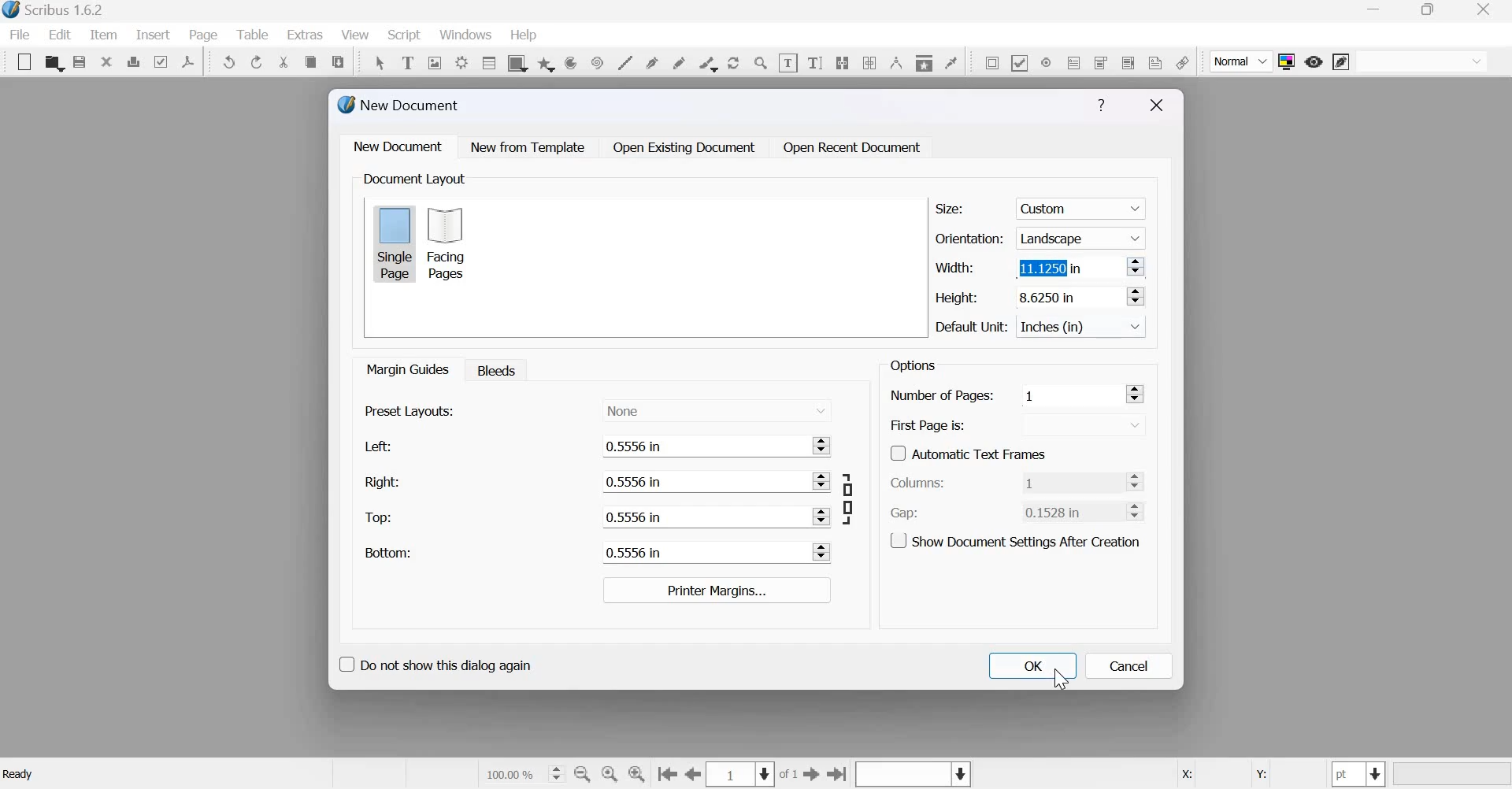 Image resolution: width=1512 pixels, height=789 pixels. What do you see at coordinates (905, 513) in the screenshot?
I see `Gap:` at bounding box center [905, 513].